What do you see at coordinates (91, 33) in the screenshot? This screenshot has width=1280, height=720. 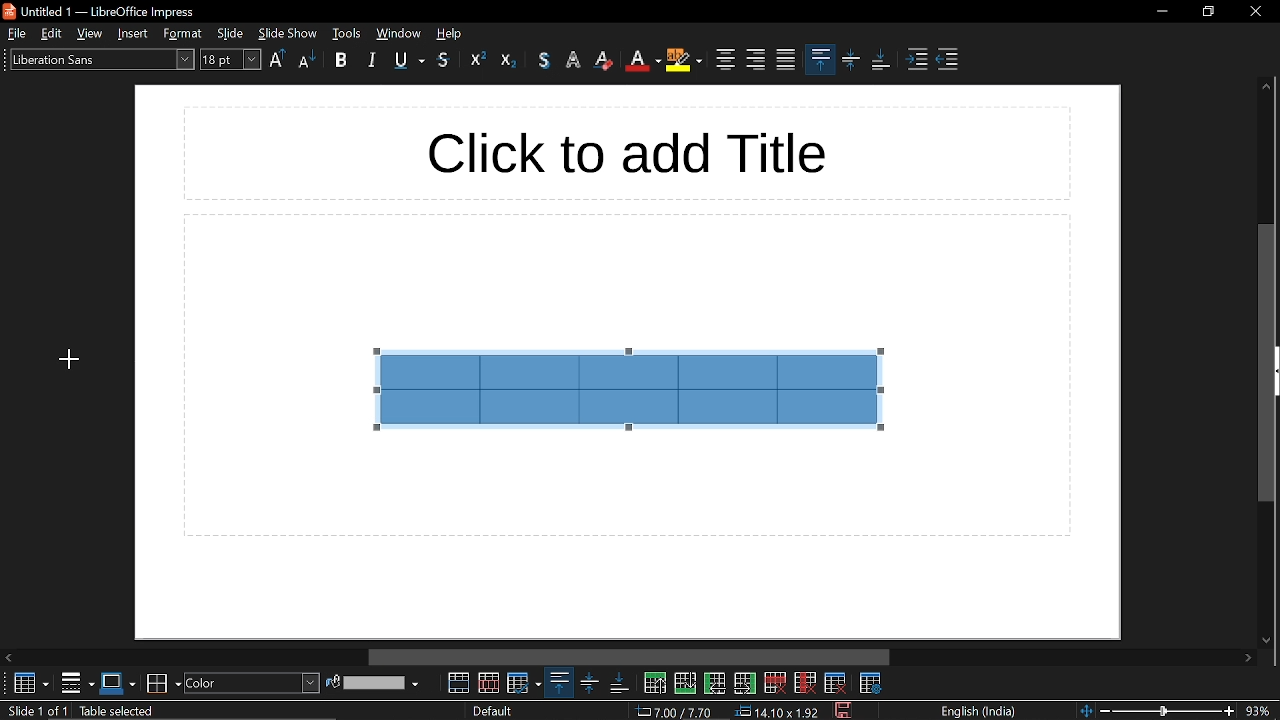 I see `view` at bounding box center [91, 33].